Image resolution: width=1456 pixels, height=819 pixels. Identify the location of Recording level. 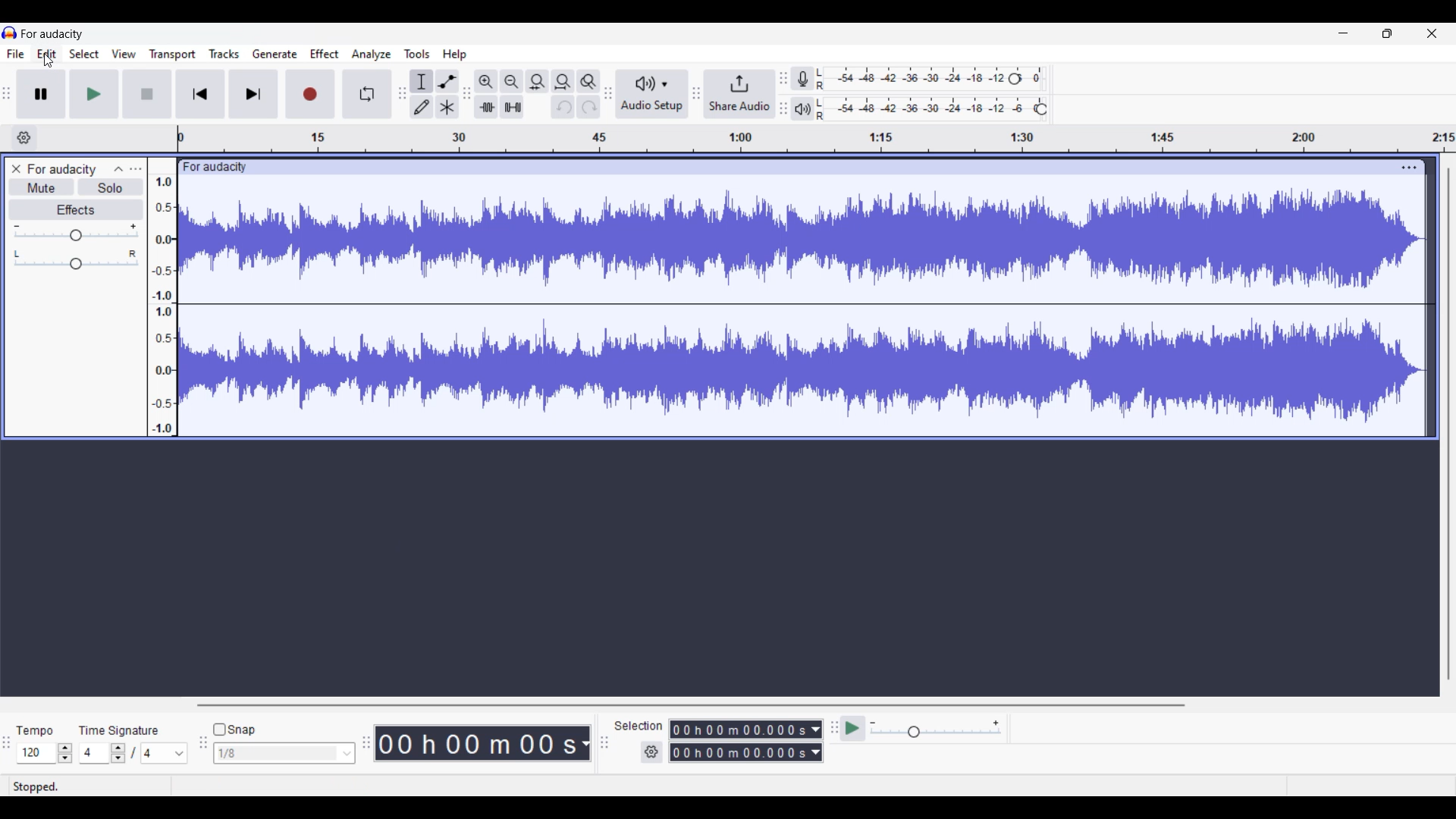
(909, 79).